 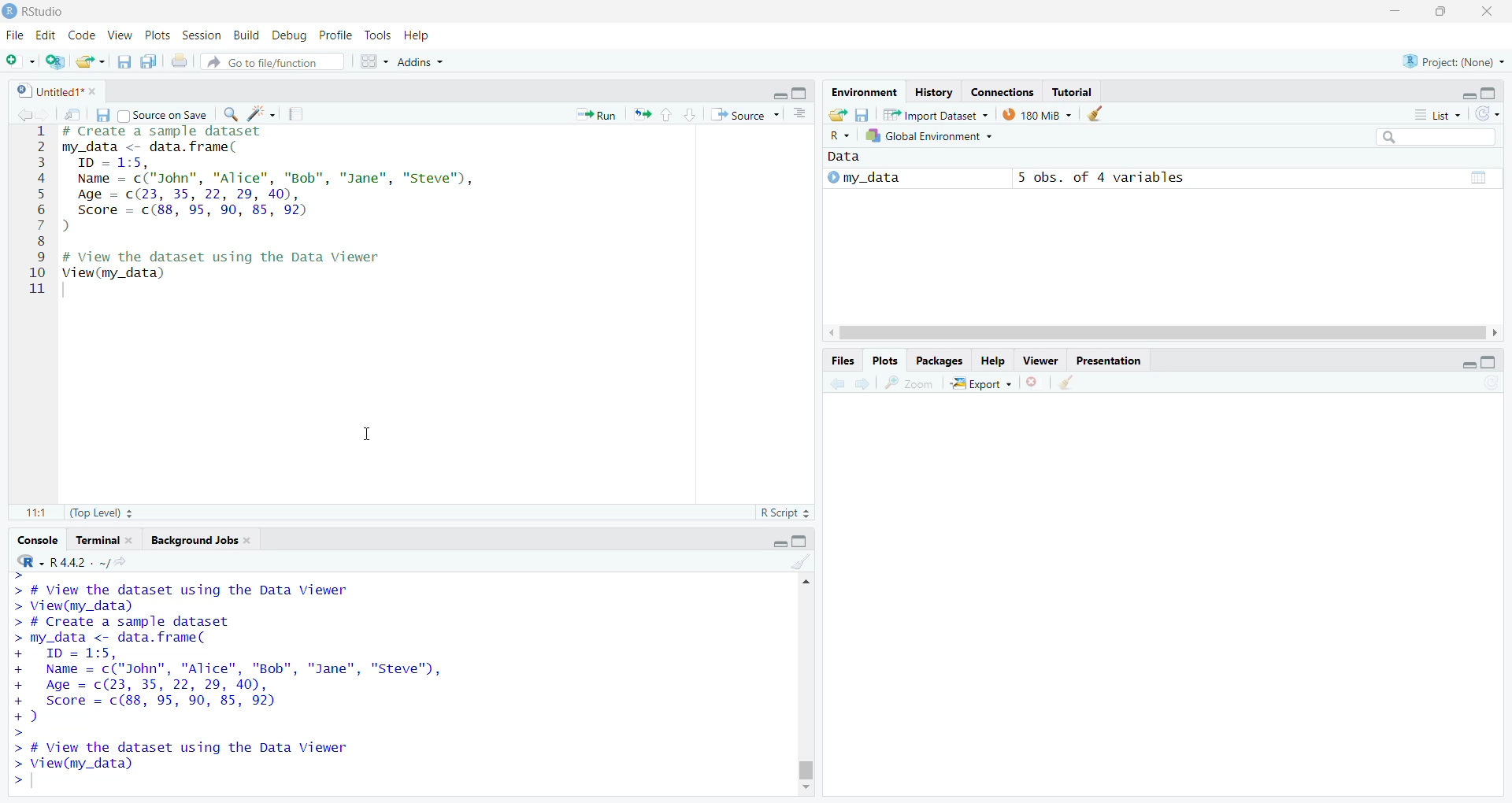 I want to click on # Create a sample dataset
my_data <- data.frame(
ID = 1:5,
Name = c("John", "Alice", "Bob", "Jane", "Steve"),
Age = (23, 35, 22, 29, 40),
Score = c(88, 95, 90, 85, 92)
)
# View the dataset using the Data Viewer
View(my_data), so click(x=280, y=212).